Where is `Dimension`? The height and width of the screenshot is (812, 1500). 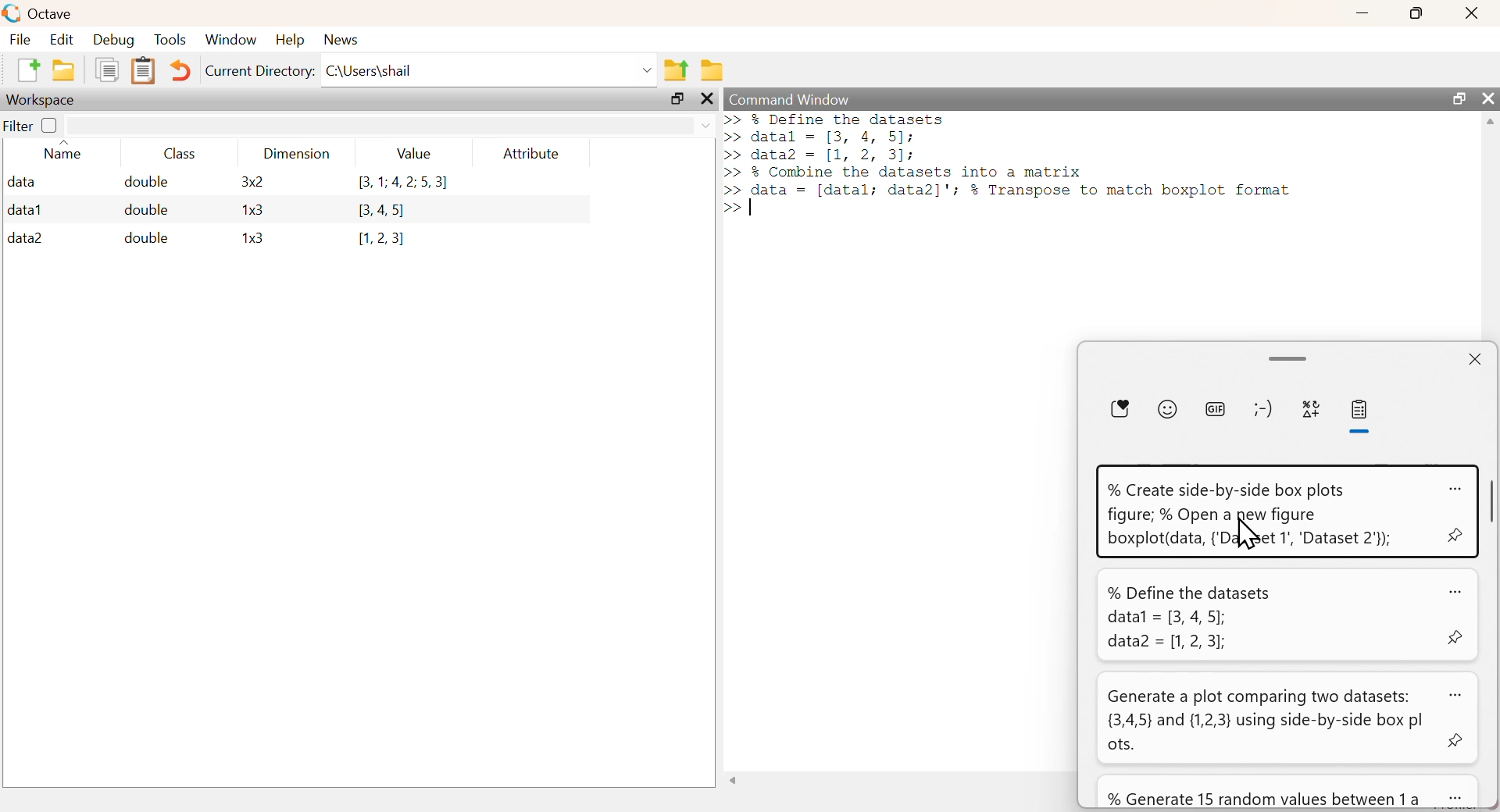 Dimension is located at coordinates (297, 154).